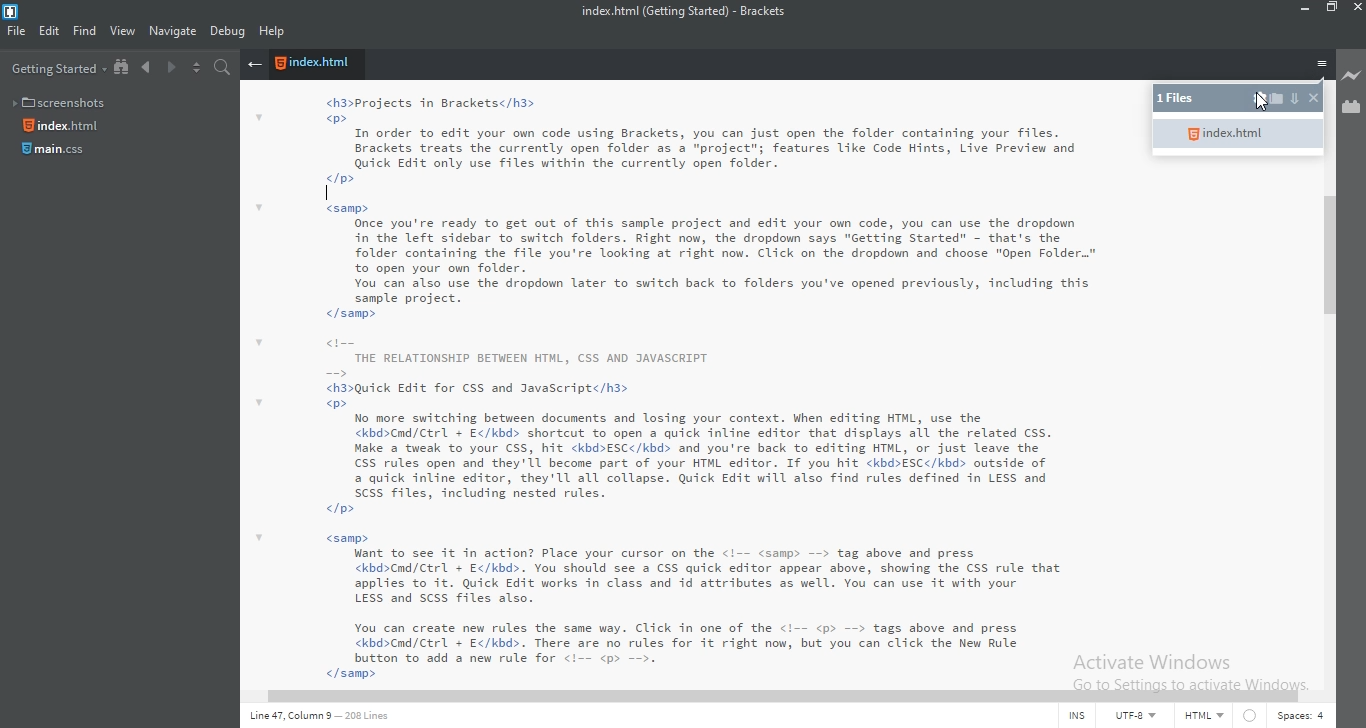 This screenshot has height=728, width=1366. I want to click on live code data, so click(331, 719).